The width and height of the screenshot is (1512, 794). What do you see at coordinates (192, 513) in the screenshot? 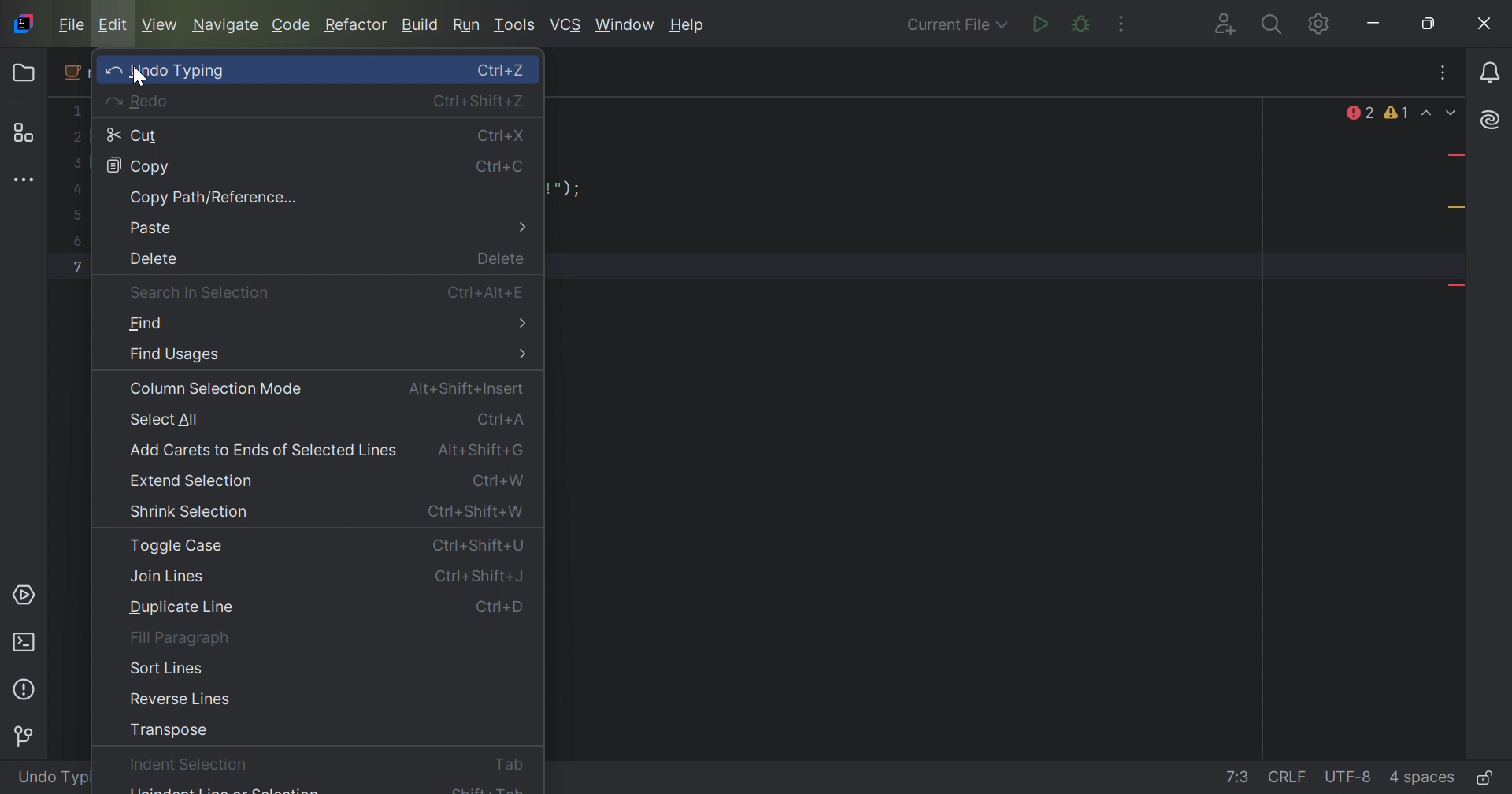
I see `Shrink Selection` at bounding box center [192, 513].